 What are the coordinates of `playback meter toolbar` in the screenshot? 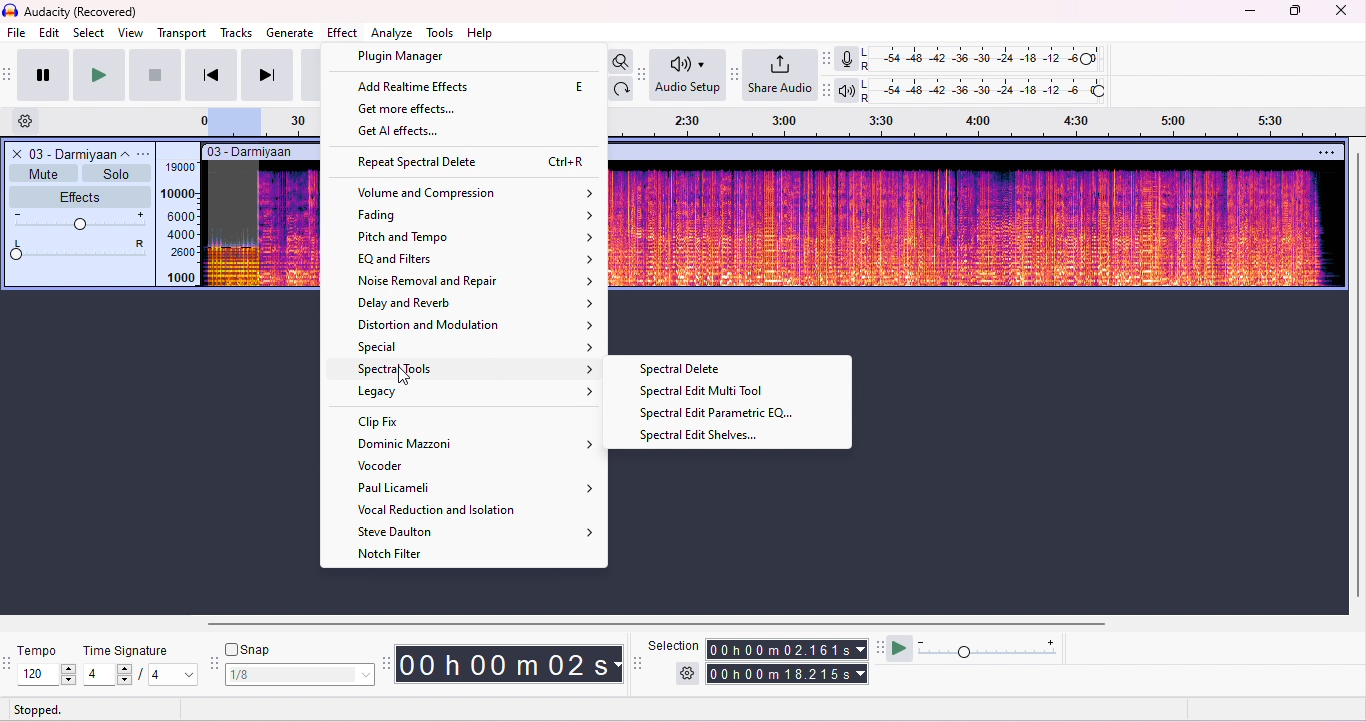 It's located at (830, 90).